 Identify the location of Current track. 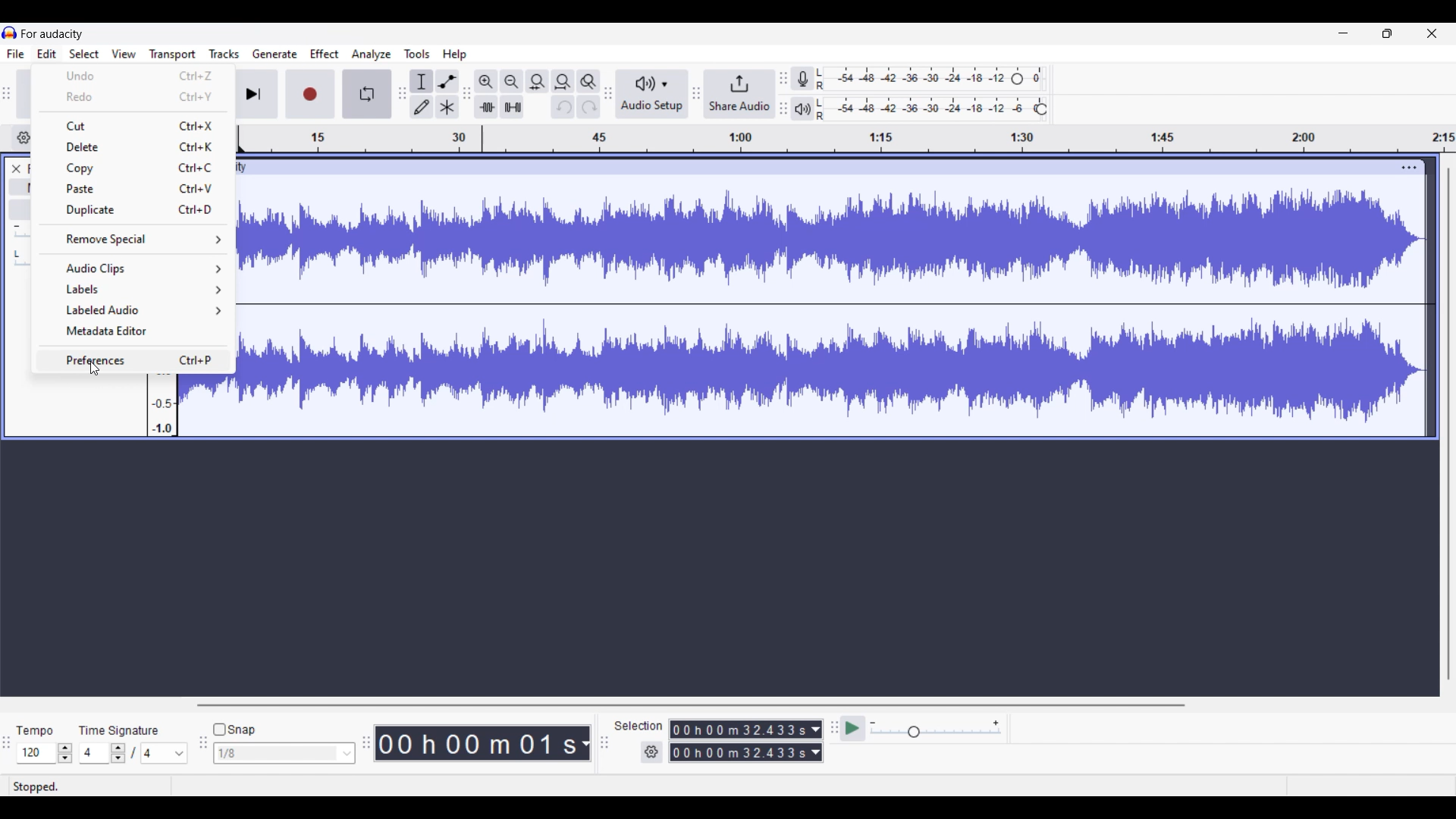
(817, 297).